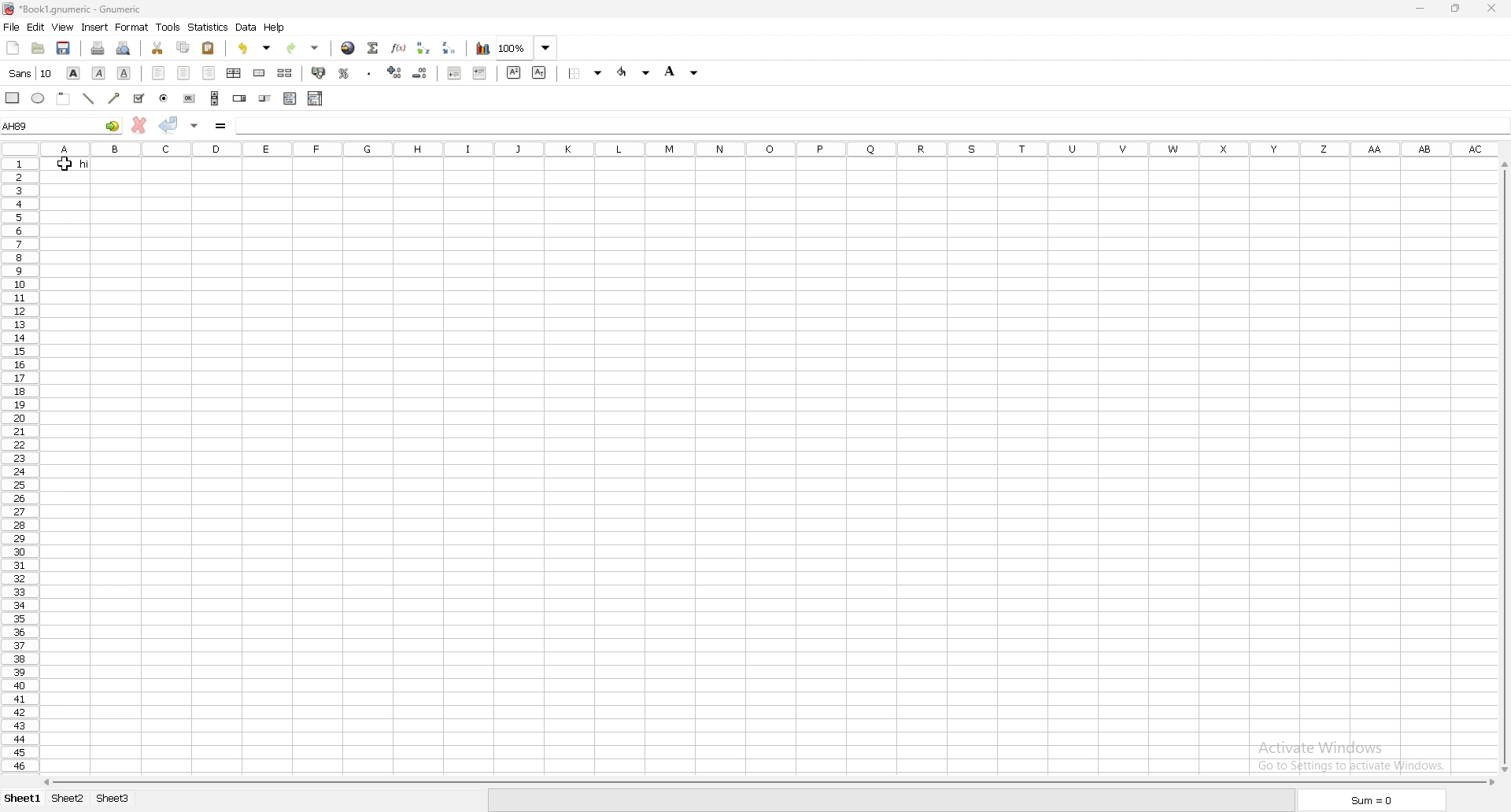  What do you see at coordinates (1499, 467) in the screenshot?
I see `scroll bar` at bounding box center [1499, 467].